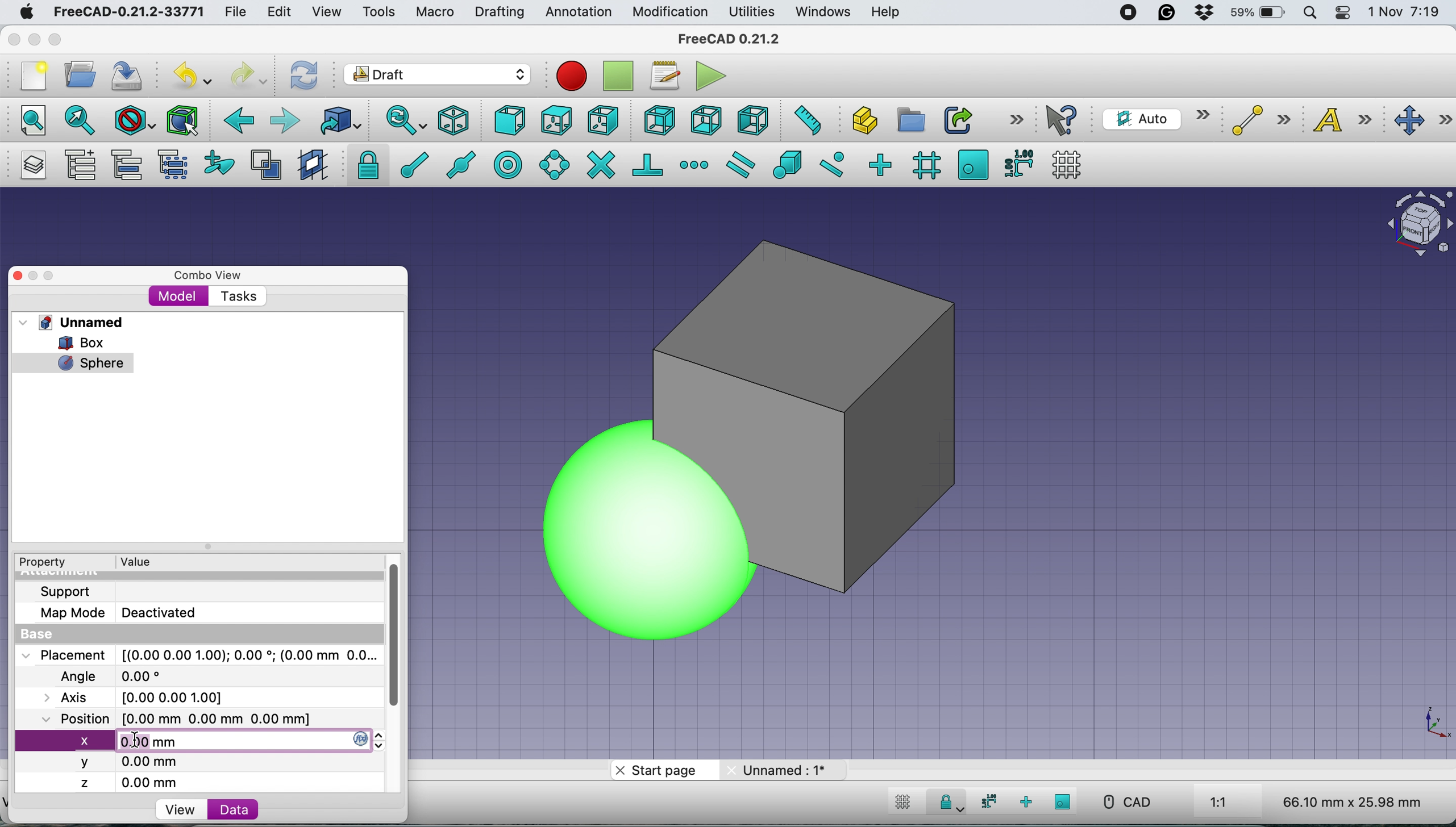  Describe the element at coordinates (946, 804) in the screenshot. I see `snap lock` at that location.